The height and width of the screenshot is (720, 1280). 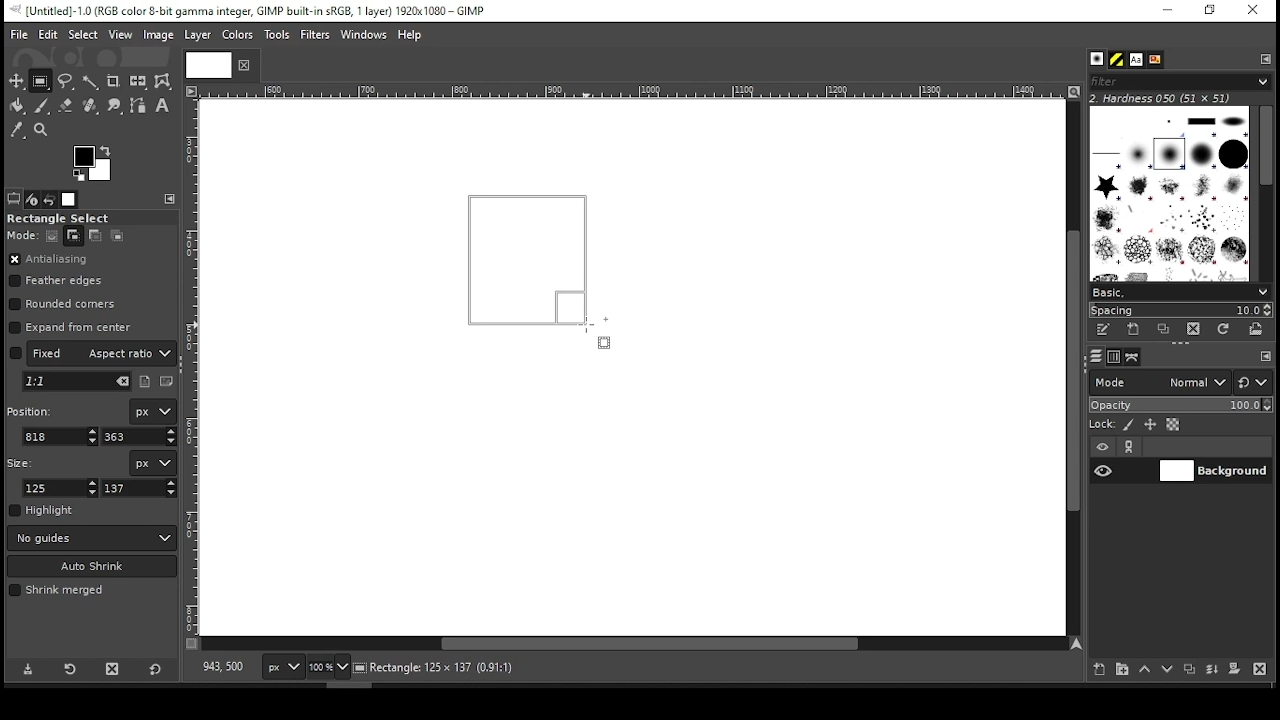 What do you see at coordinates (1265, 192) in the screenshot?
I see `scroll bar` at bounding box center [1265, 192].